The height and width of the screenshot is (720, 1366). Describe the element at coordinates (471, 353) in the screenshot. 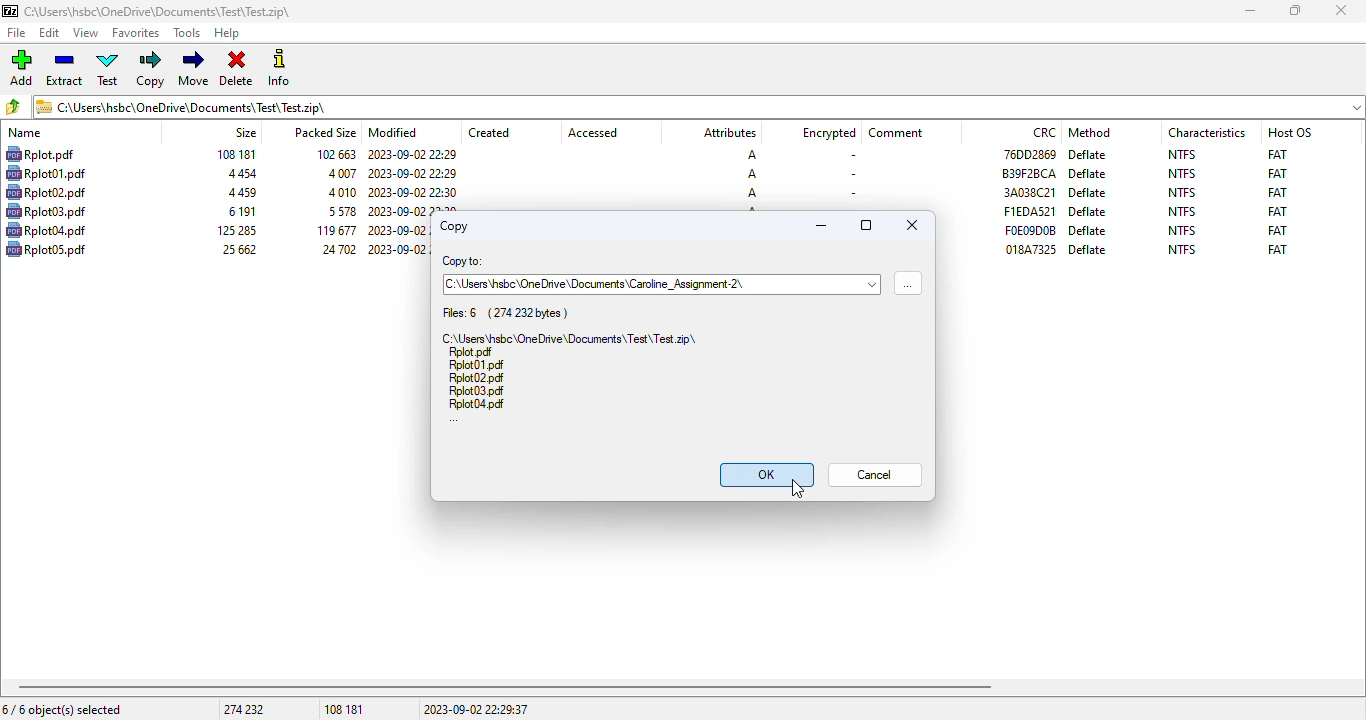

I see `file` at that location.